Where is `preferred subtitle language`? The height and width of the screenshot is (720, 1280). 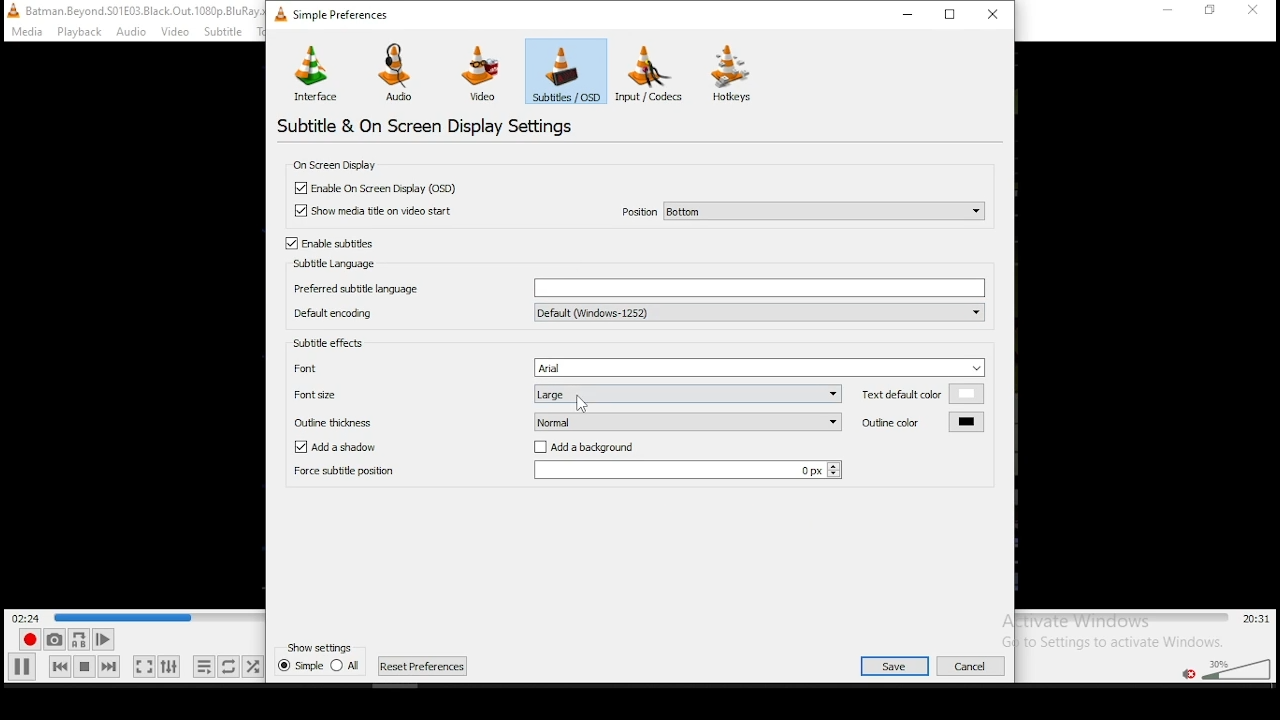 preferred subtitle language is located at coordinates (637, 288).